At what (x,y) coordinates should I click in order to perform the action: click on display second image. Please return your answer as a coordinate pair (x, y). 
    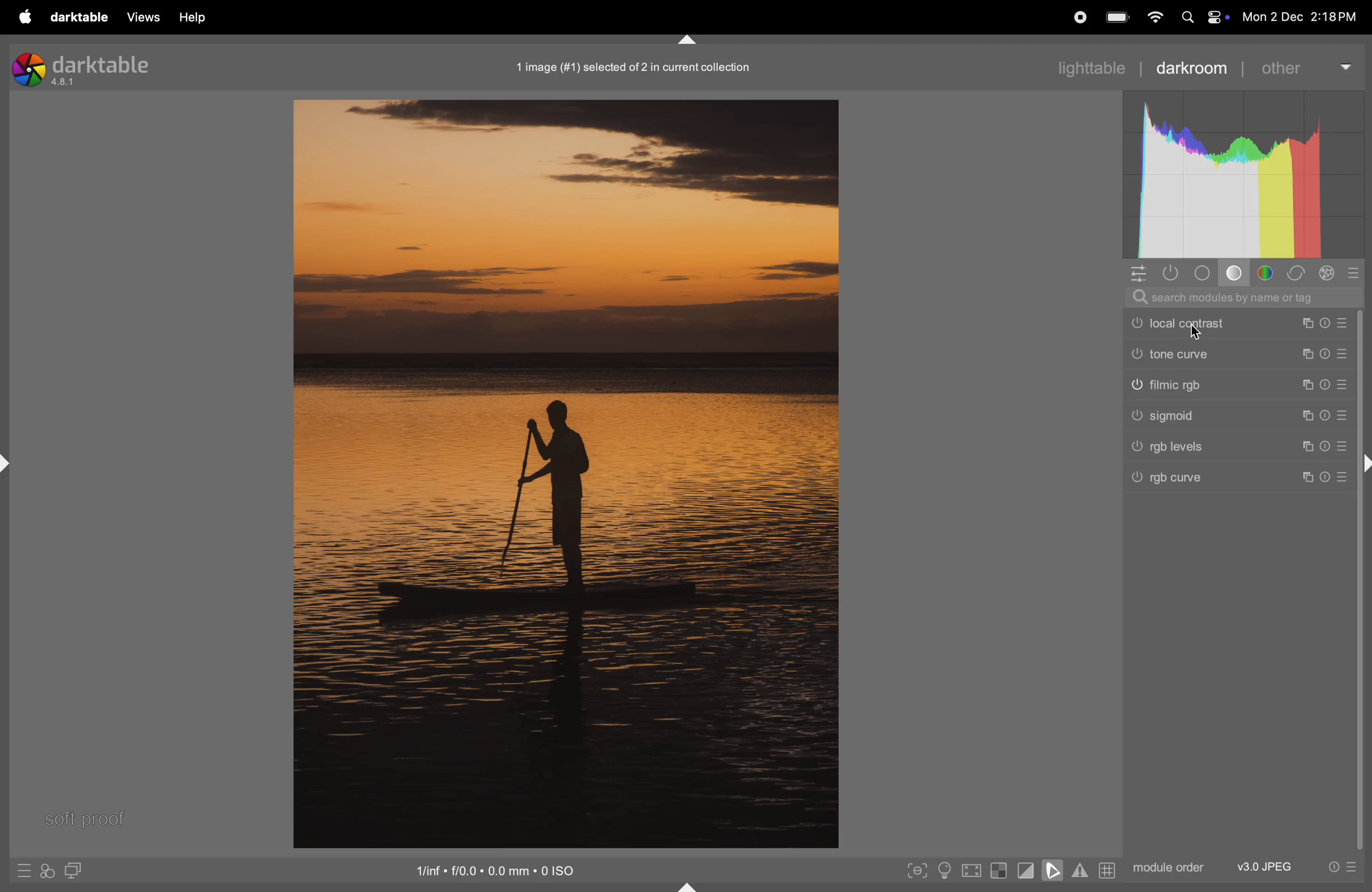
    Looking at the image, I should click on (74, 870).